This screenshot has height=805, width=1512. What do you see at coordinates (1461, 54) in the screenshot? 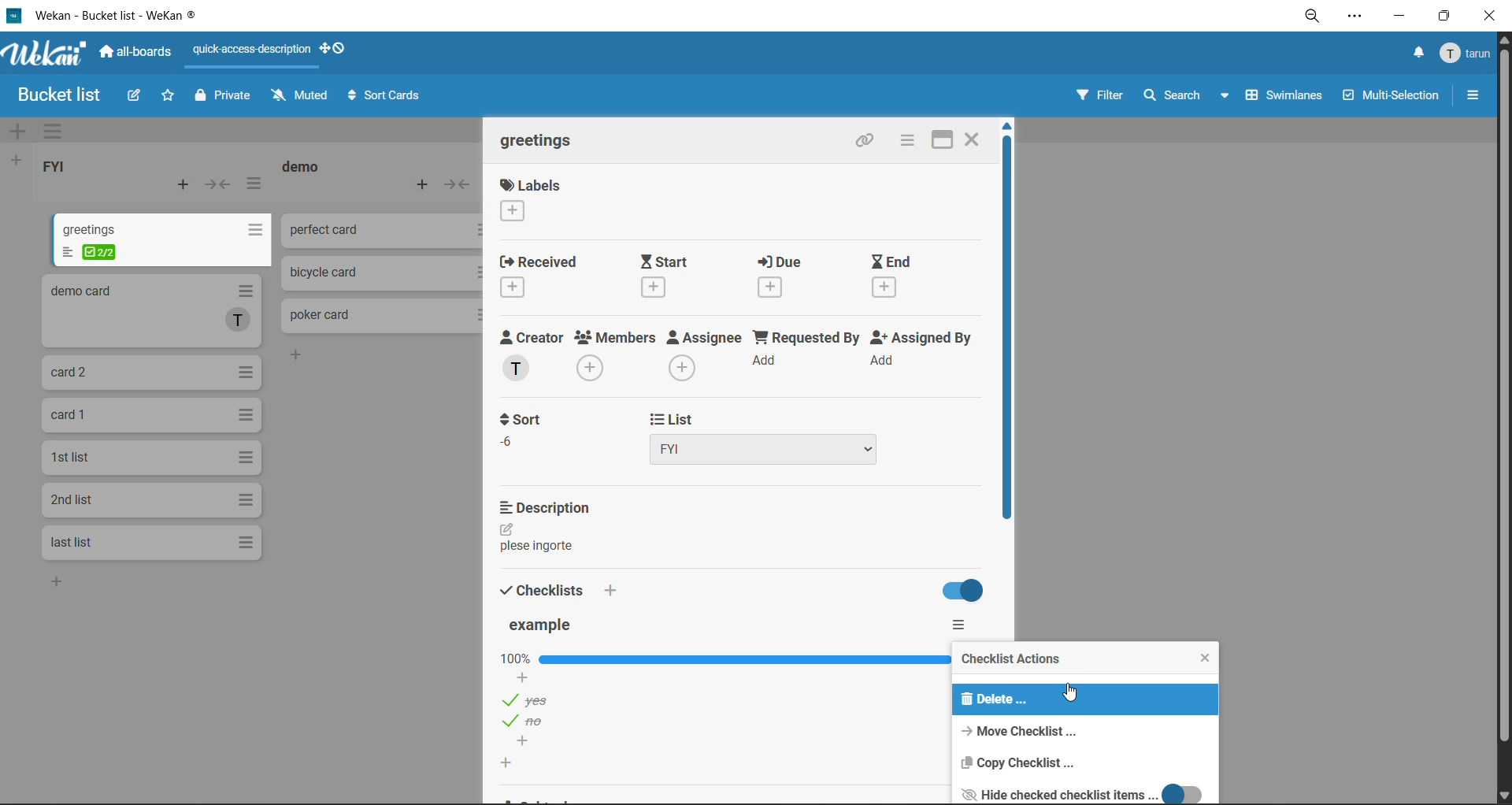
I see `menu` at bounding box center [1461, 54].